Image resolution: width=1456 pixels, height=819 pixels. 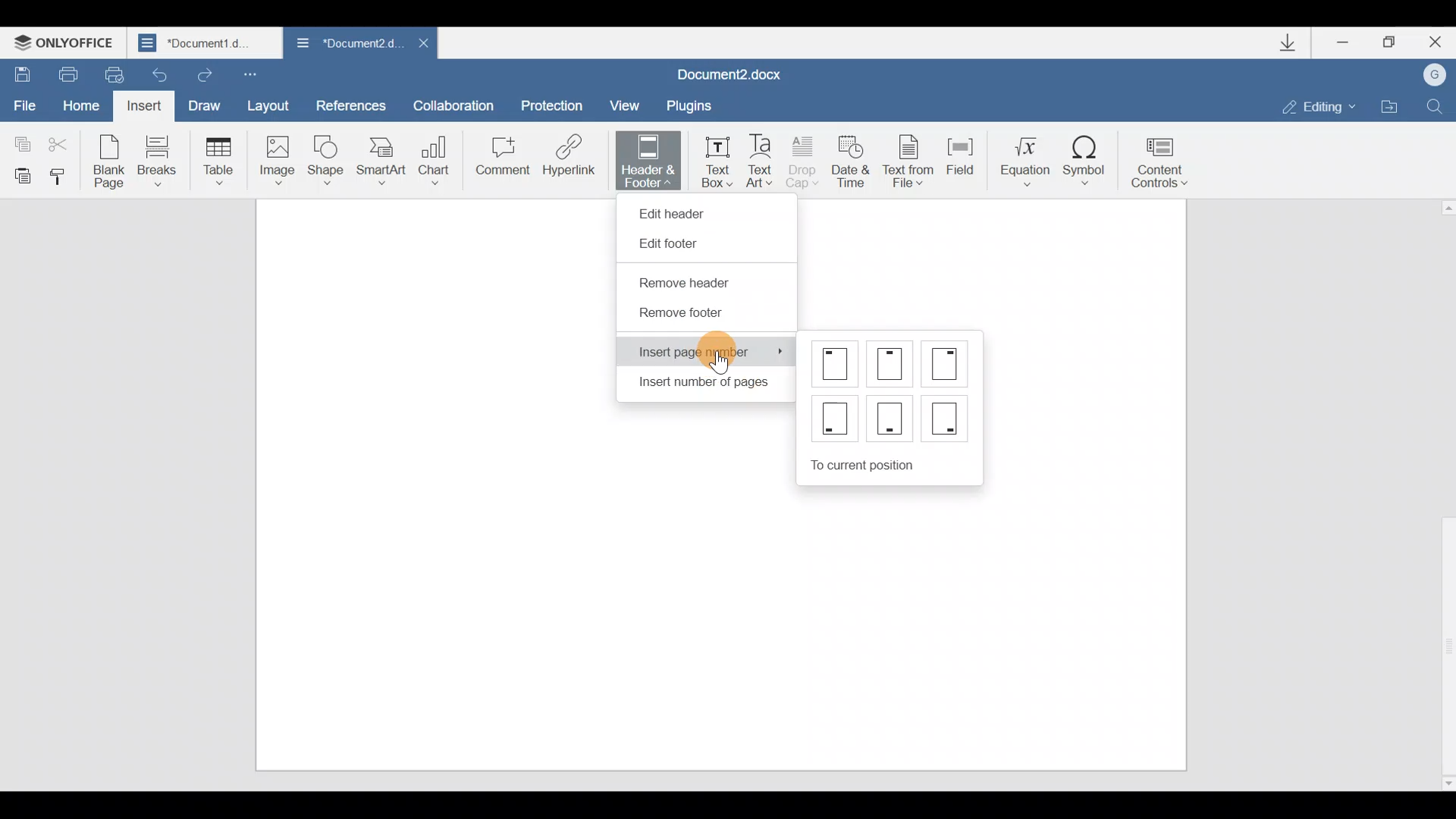 I want to click on Minimize, so click(x=1338, y=44).